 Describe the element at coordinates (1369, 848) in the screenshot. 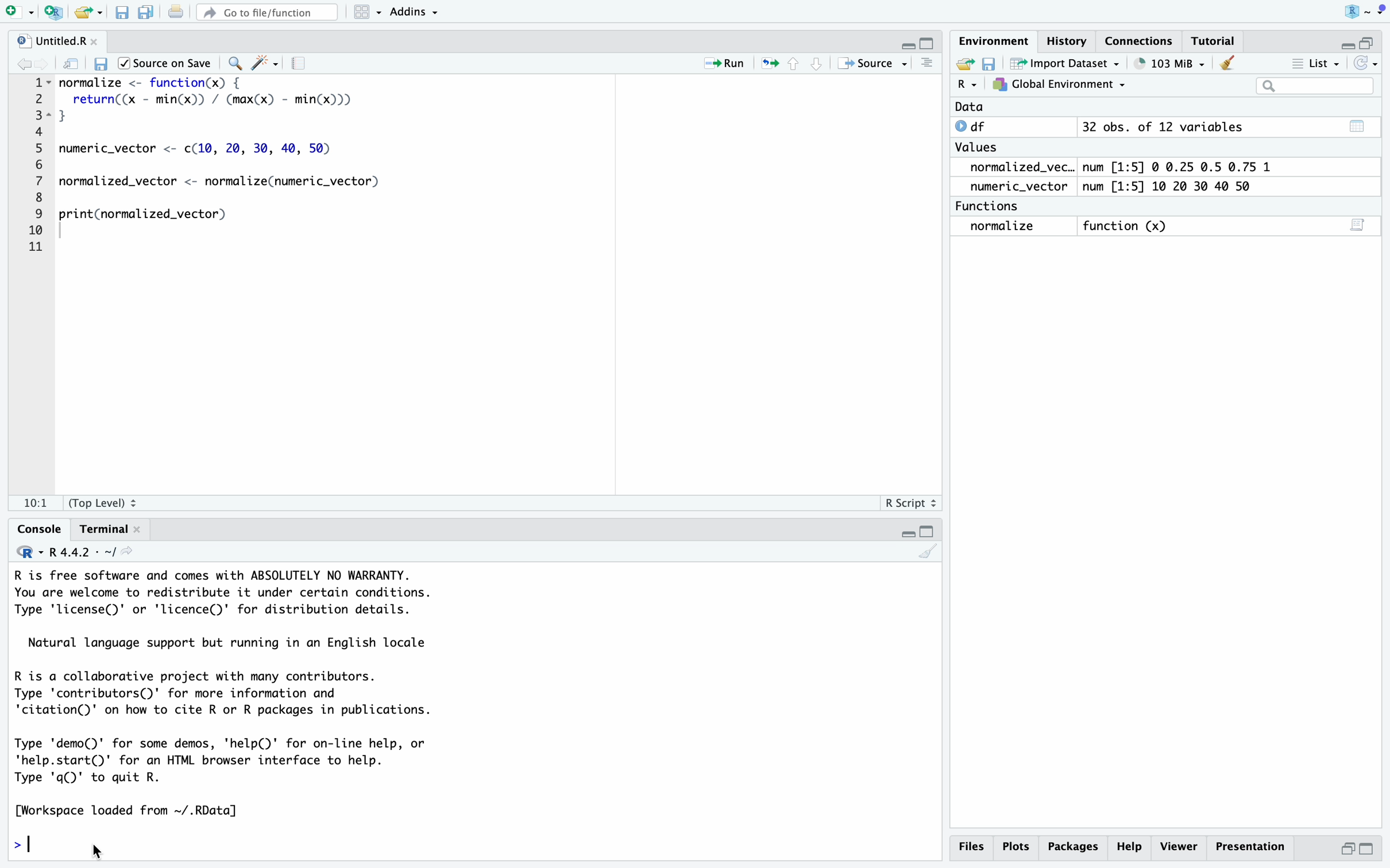

I see `Maximize` at that location.